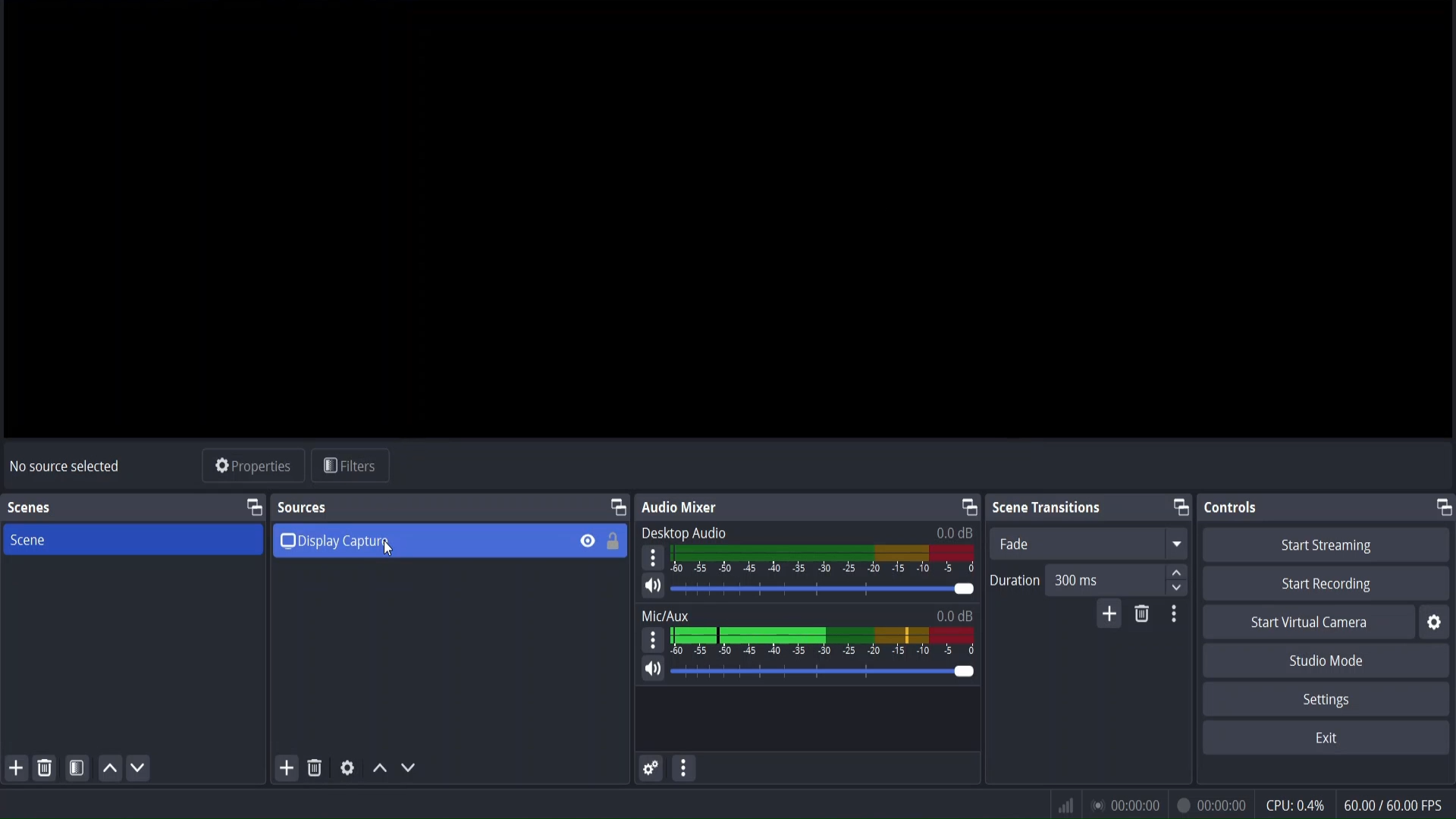  I want to click on studio mode, so click(1329, 661).